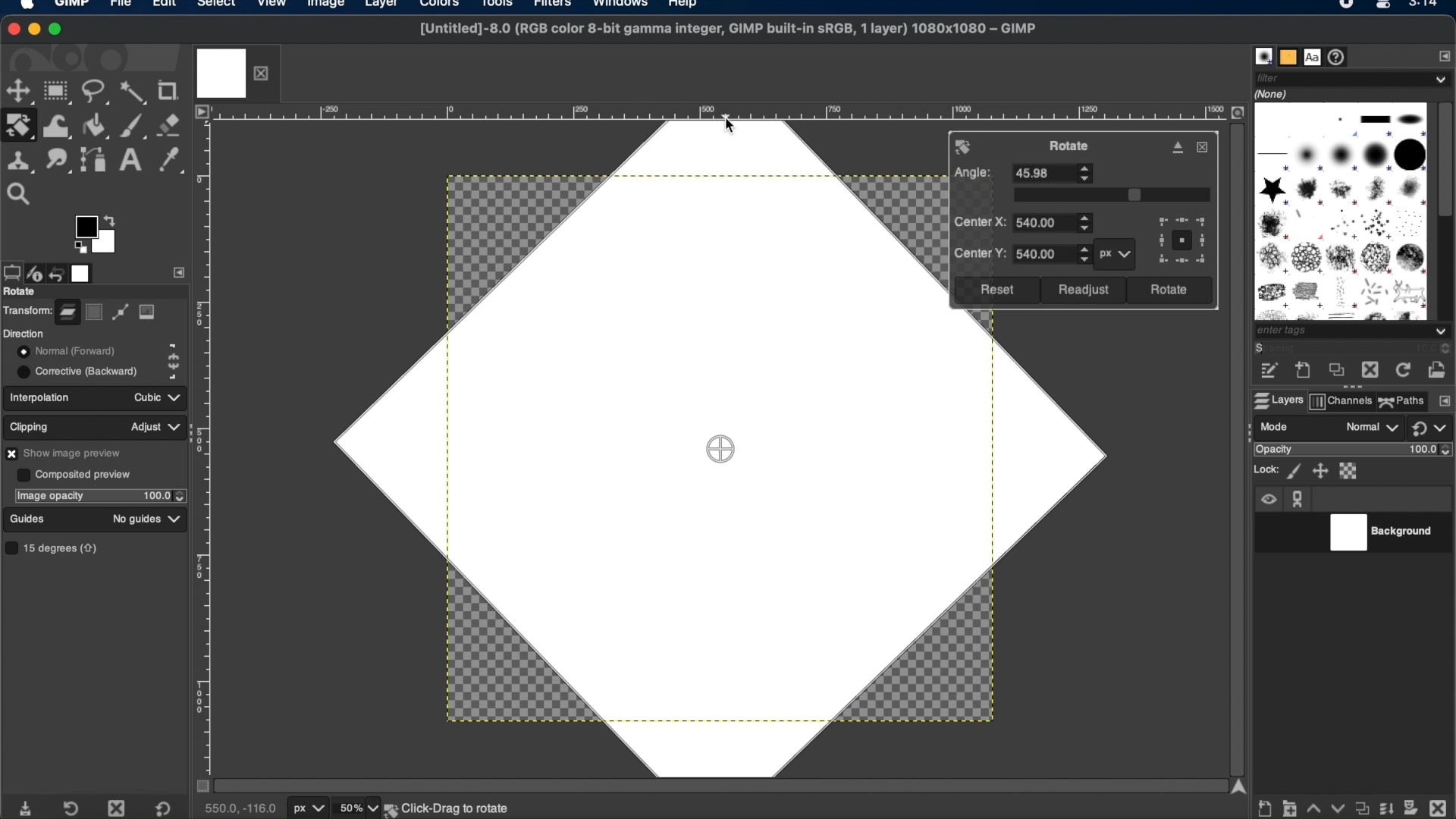  I want to click on recorder icon, so click(1345, 6).